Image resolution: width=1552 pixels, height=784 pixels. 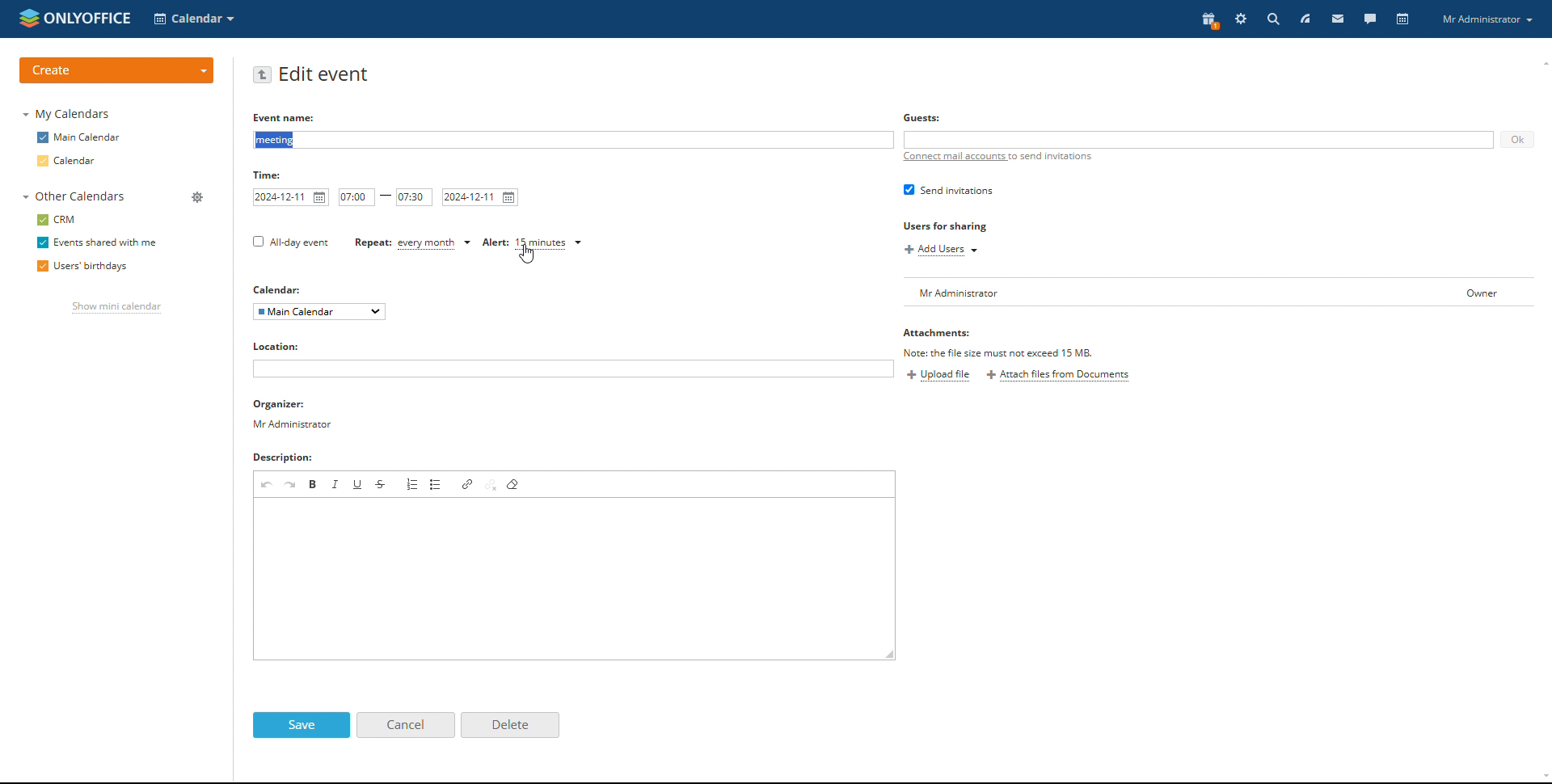 What do you see at coordinates (942, 251) in the screenshot?
I see `add users` at bounding box center [942, 251].